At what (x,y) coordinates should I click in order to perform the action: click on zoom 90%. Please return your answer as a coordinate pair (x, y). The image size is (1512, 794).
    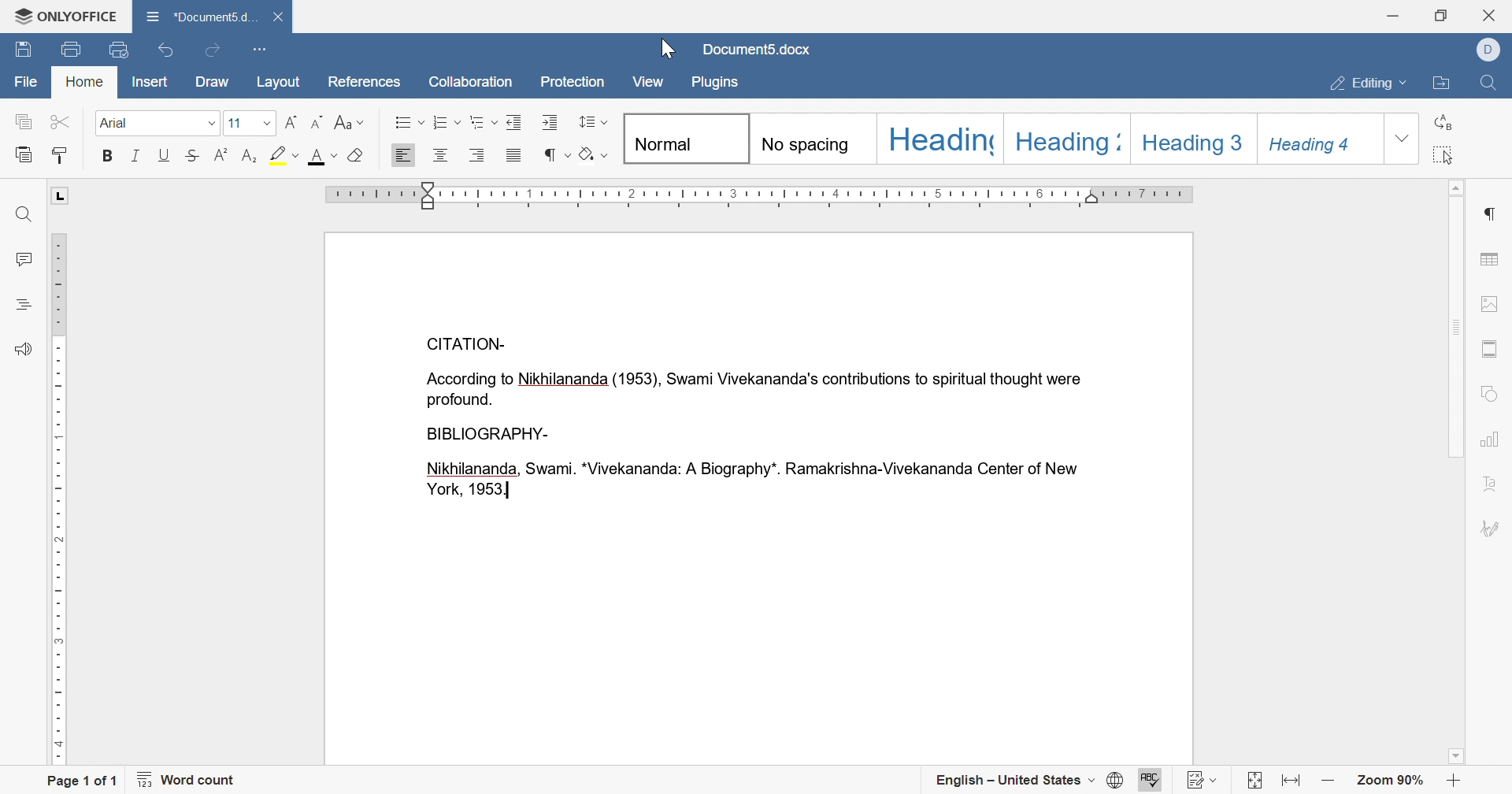
    Looking at the image, I should click on (1391, 782).